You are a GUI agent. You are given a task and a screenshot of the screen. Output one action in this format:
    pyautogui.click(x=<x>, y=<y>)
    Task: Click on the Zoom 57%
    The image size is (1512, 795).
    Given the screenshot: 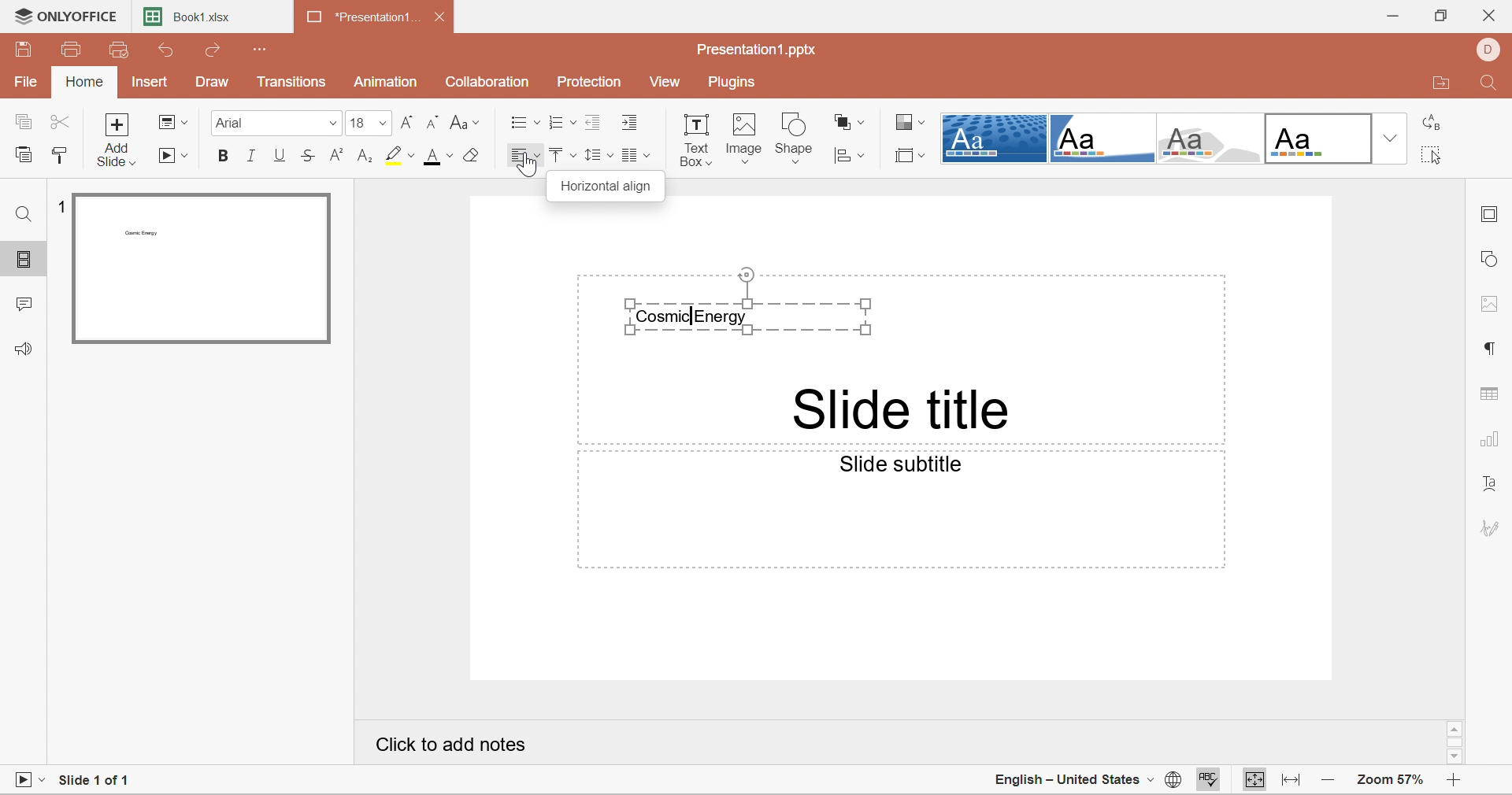 What is the action you would take?
    pyautogui.click(x=1392, y=780)
    